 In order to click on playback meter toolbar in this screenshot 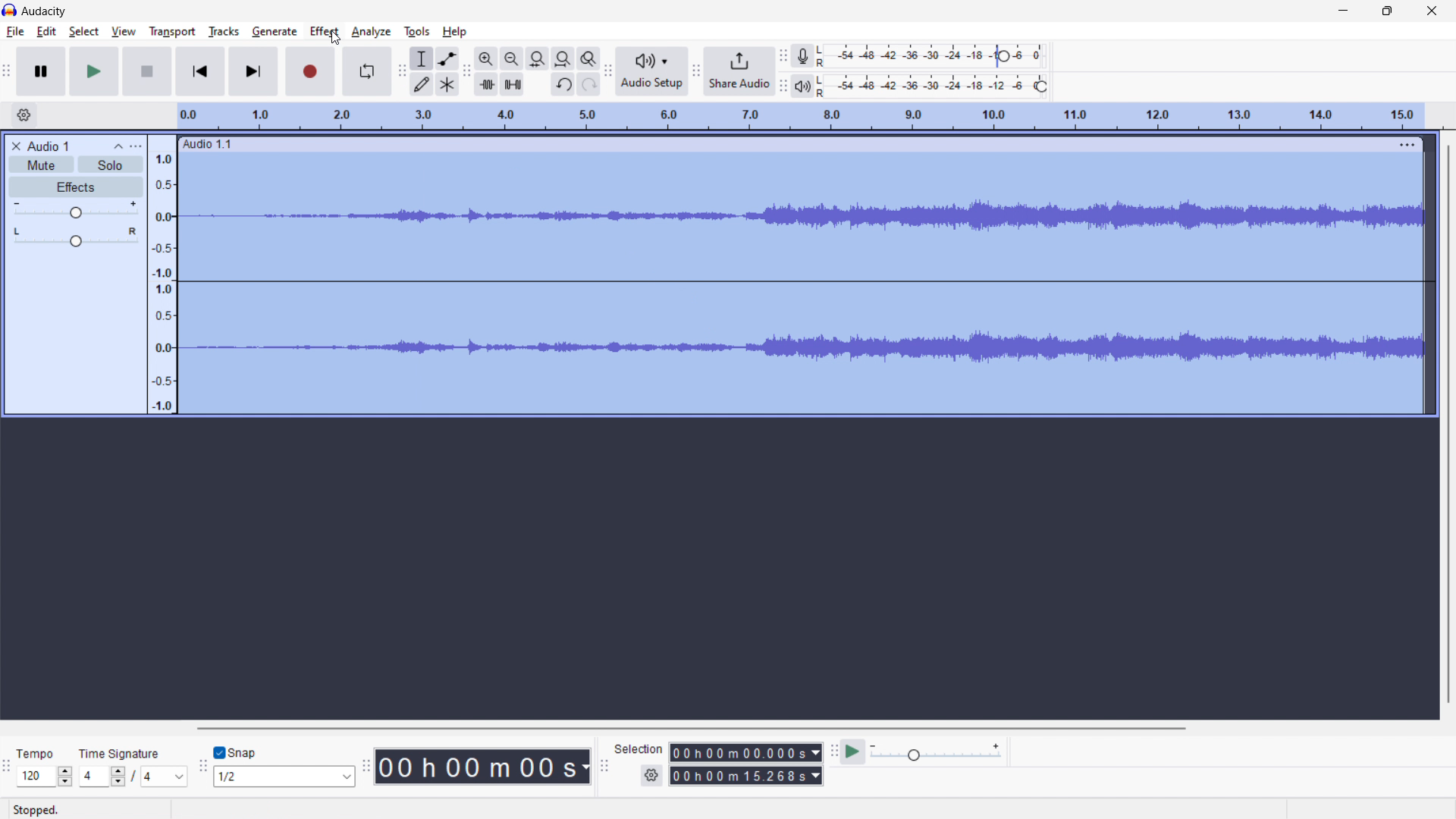, I will do `click(783, 86)`.